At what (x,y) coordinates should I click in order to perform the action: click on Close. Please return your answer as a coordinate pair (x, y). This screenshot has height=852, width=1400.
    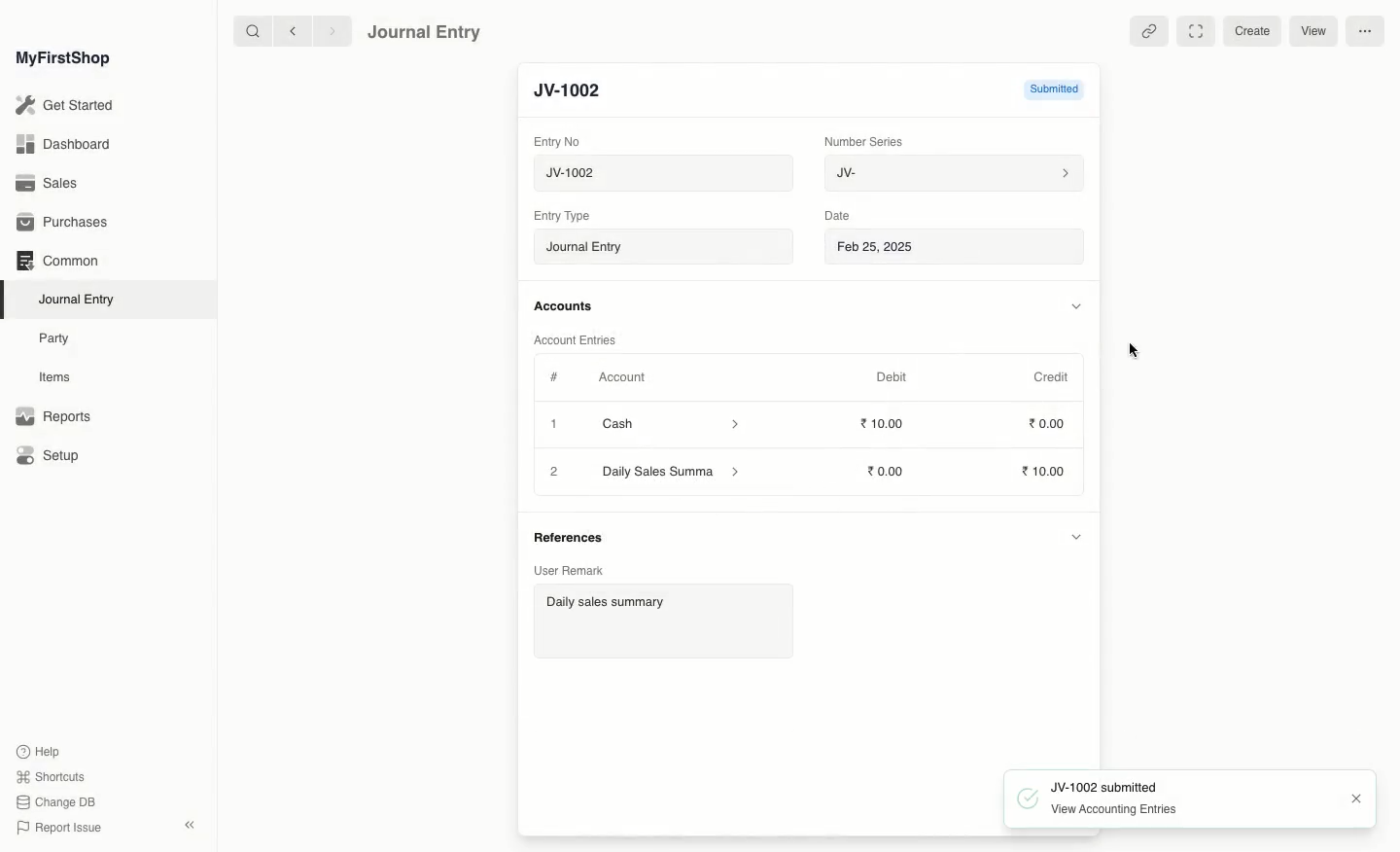
    Looking at the image, I should click on (1354, 799).